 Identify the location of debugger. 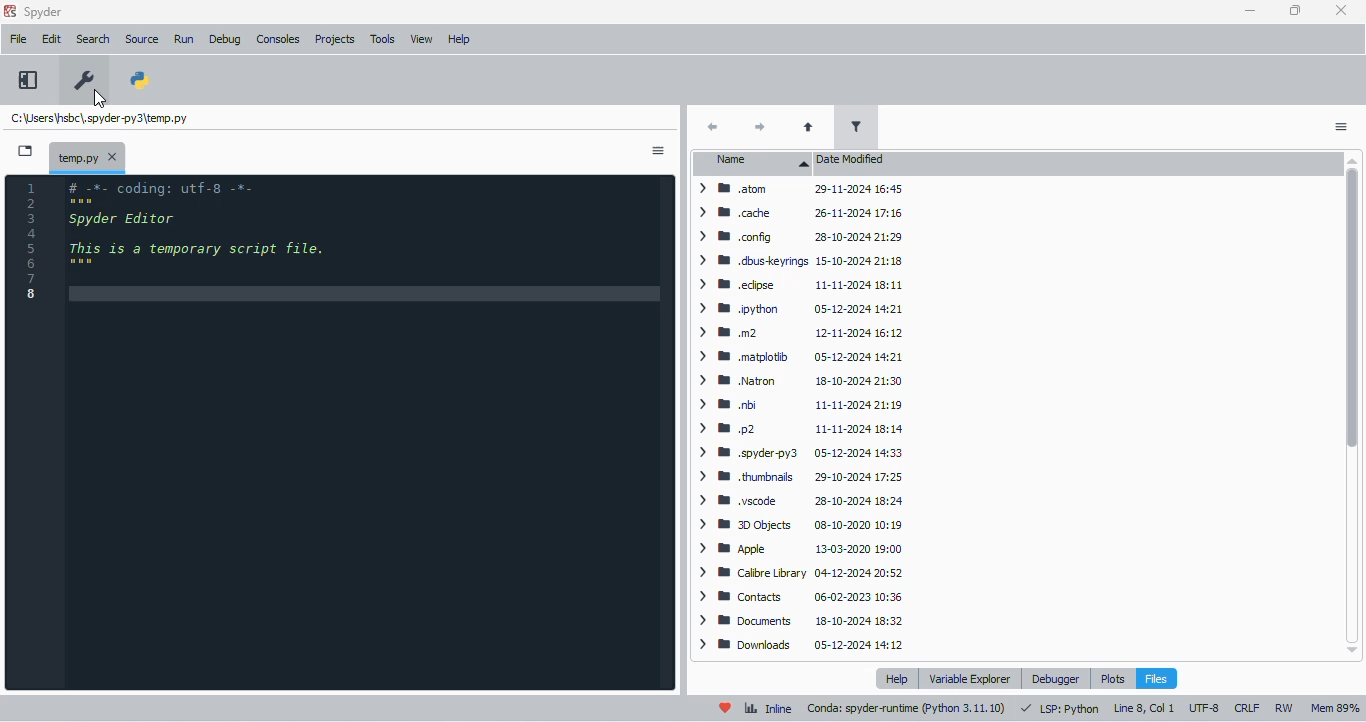
(1055, 679).